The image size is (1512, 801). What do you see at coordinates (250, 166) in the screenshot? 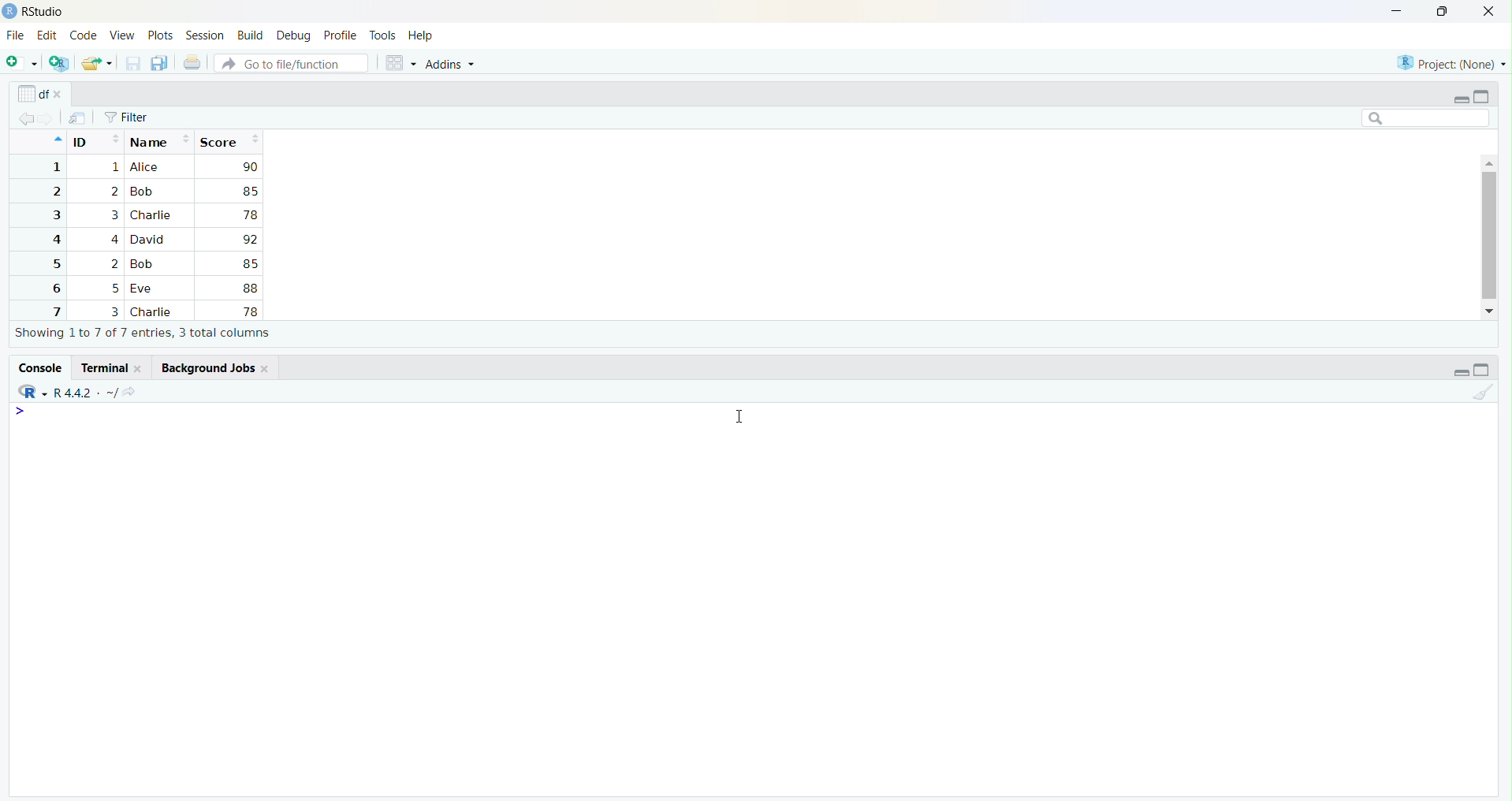
I see `90` at bounding box center [250, 166].